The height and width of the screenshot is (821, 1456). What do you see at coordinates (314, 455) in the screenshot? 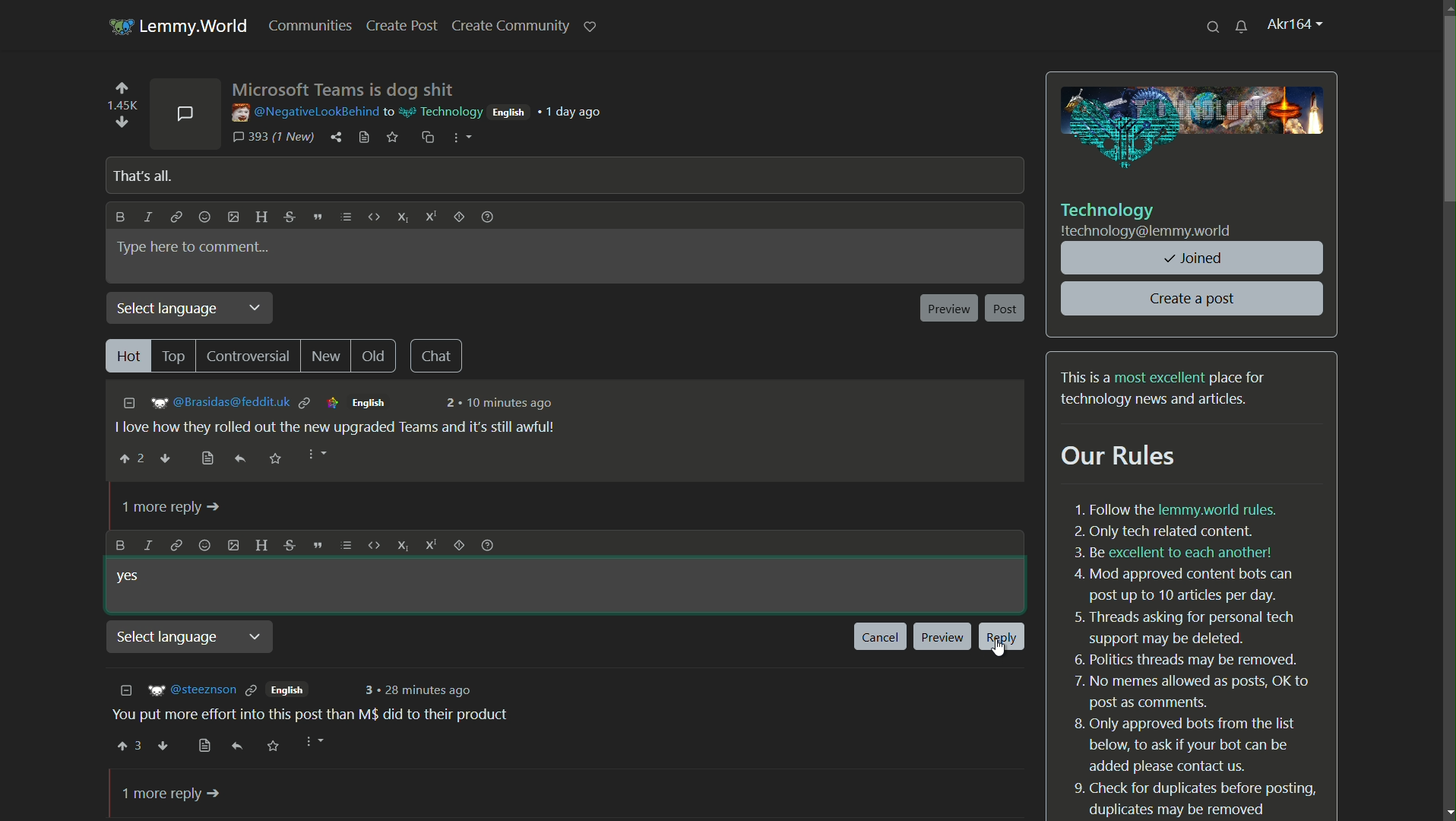
I see `more options` at bounding box center [314, 455].